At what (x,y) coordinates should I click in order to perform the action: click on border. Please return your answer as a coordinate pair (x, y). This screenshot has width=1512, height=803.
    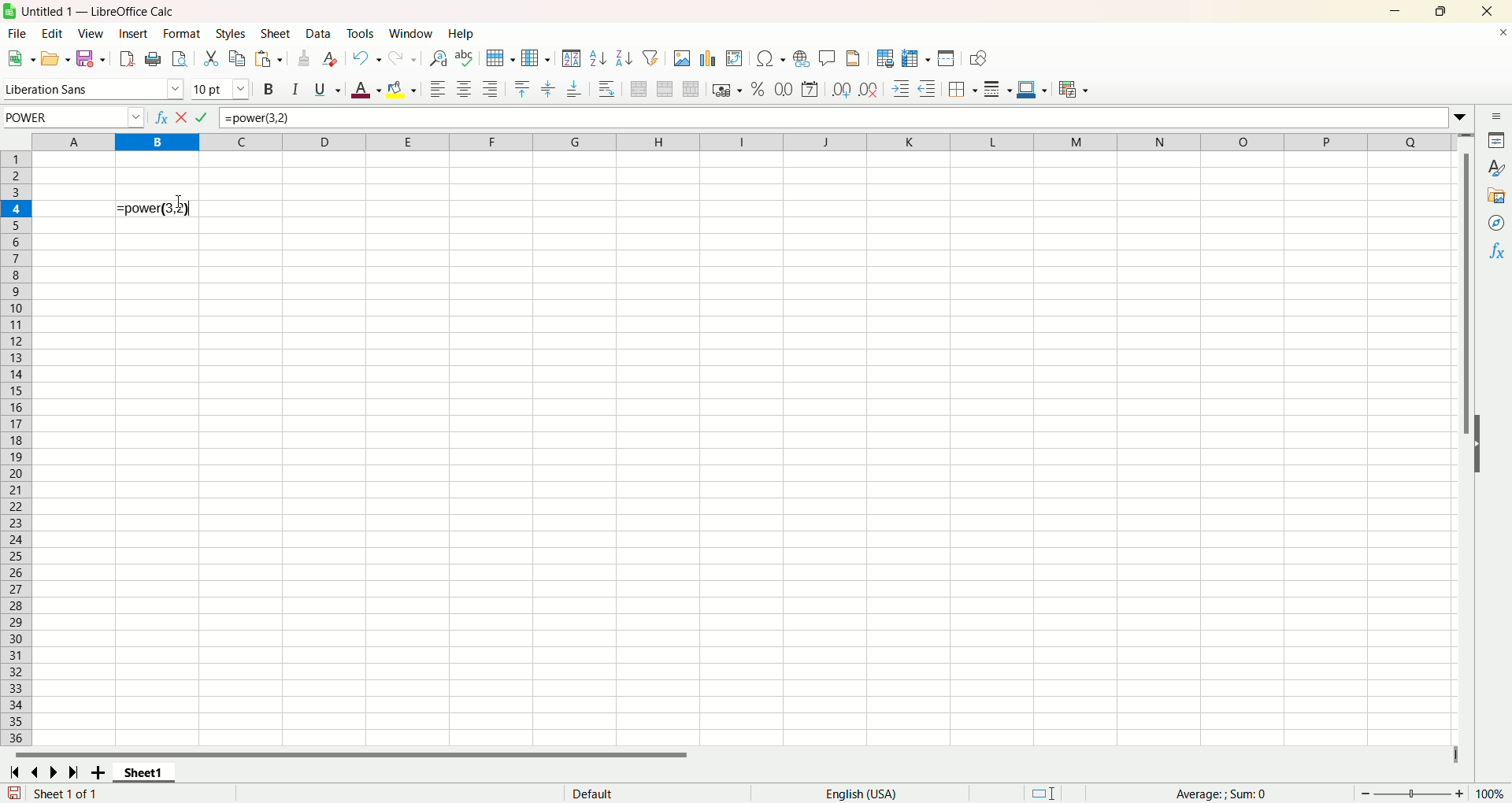
    Looking at the image, I should click on (963, 89).